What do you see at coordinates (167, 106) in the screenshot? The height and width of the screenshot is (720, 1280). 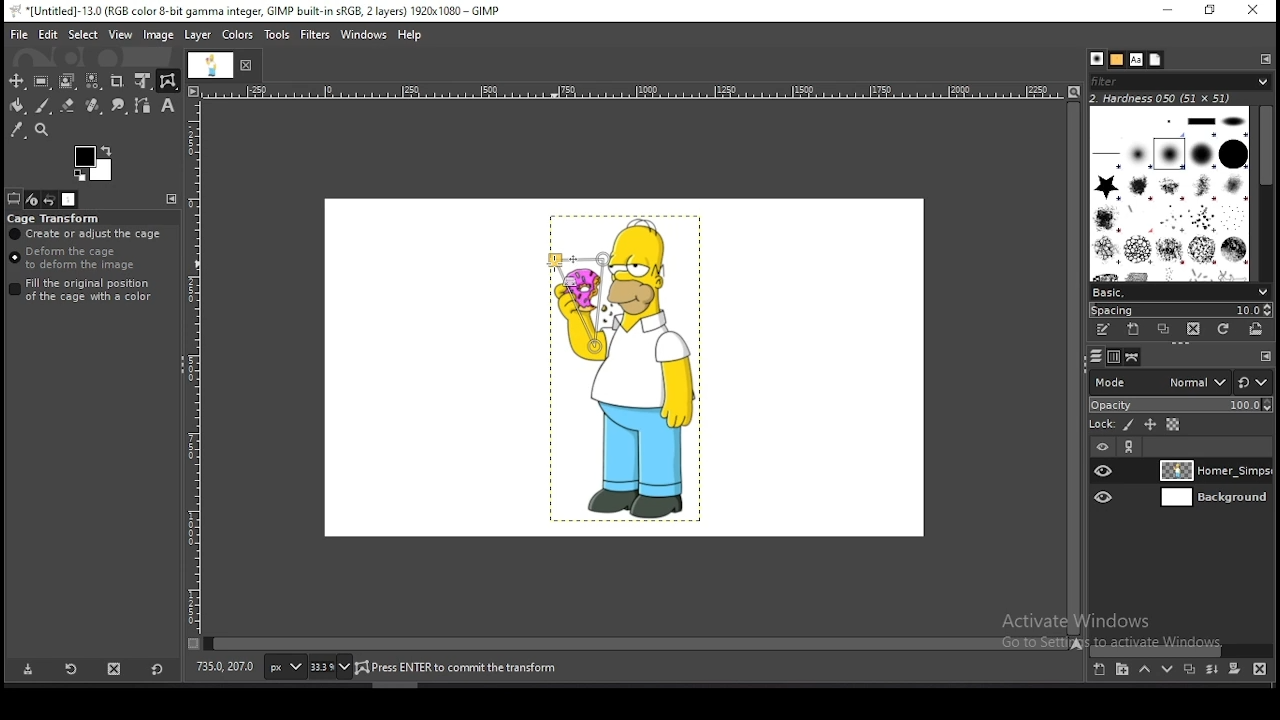 I see `text tool` at bounding box center [167, 106].